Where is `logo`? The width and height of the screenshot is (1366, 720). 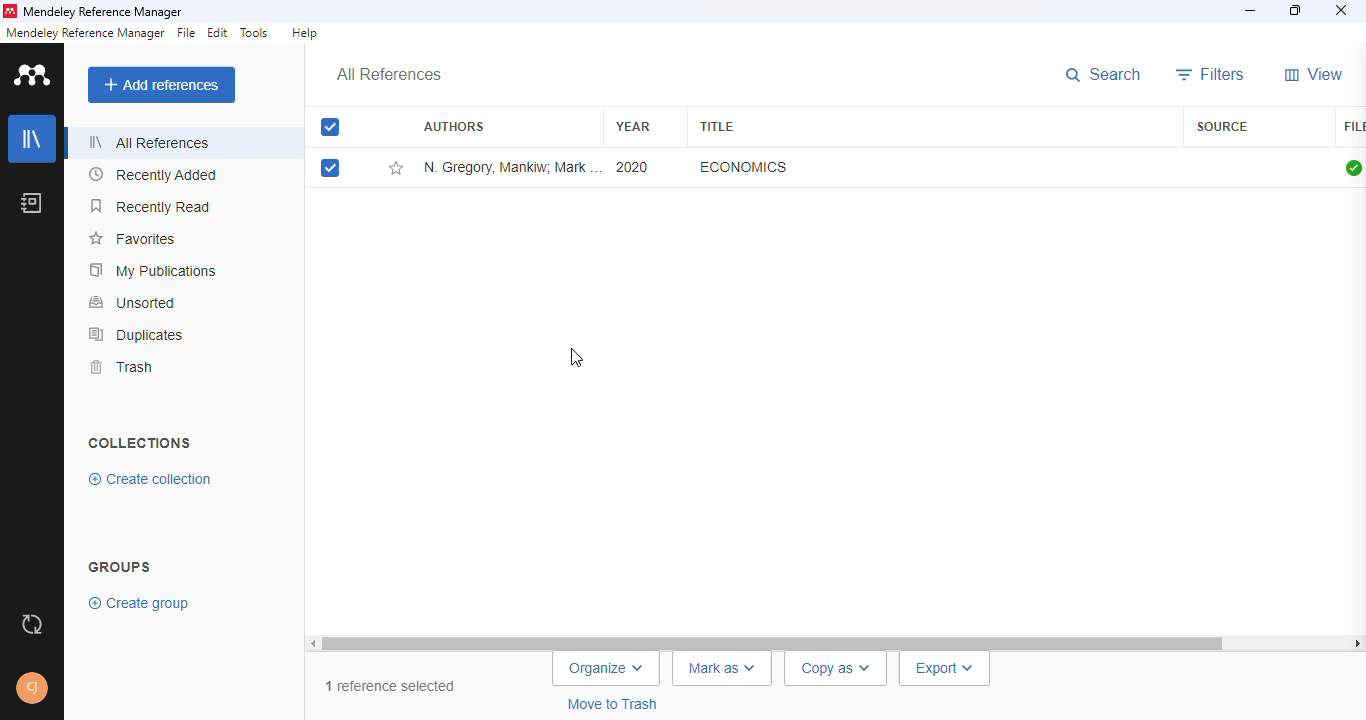
logo is located at coordinates (32, 74).